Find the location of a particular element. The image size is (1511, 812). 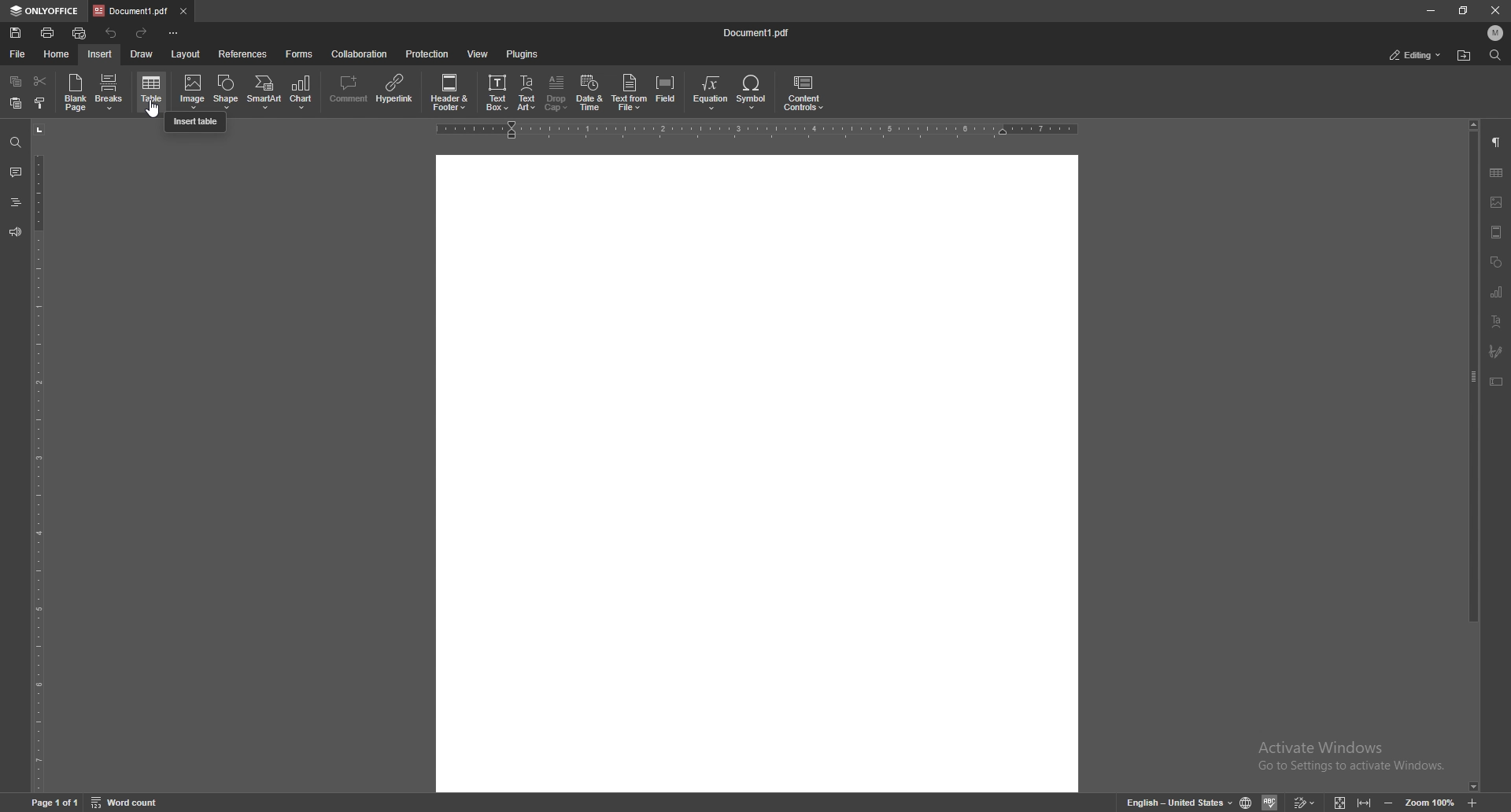

copy style is located at coordinates (41, 105).